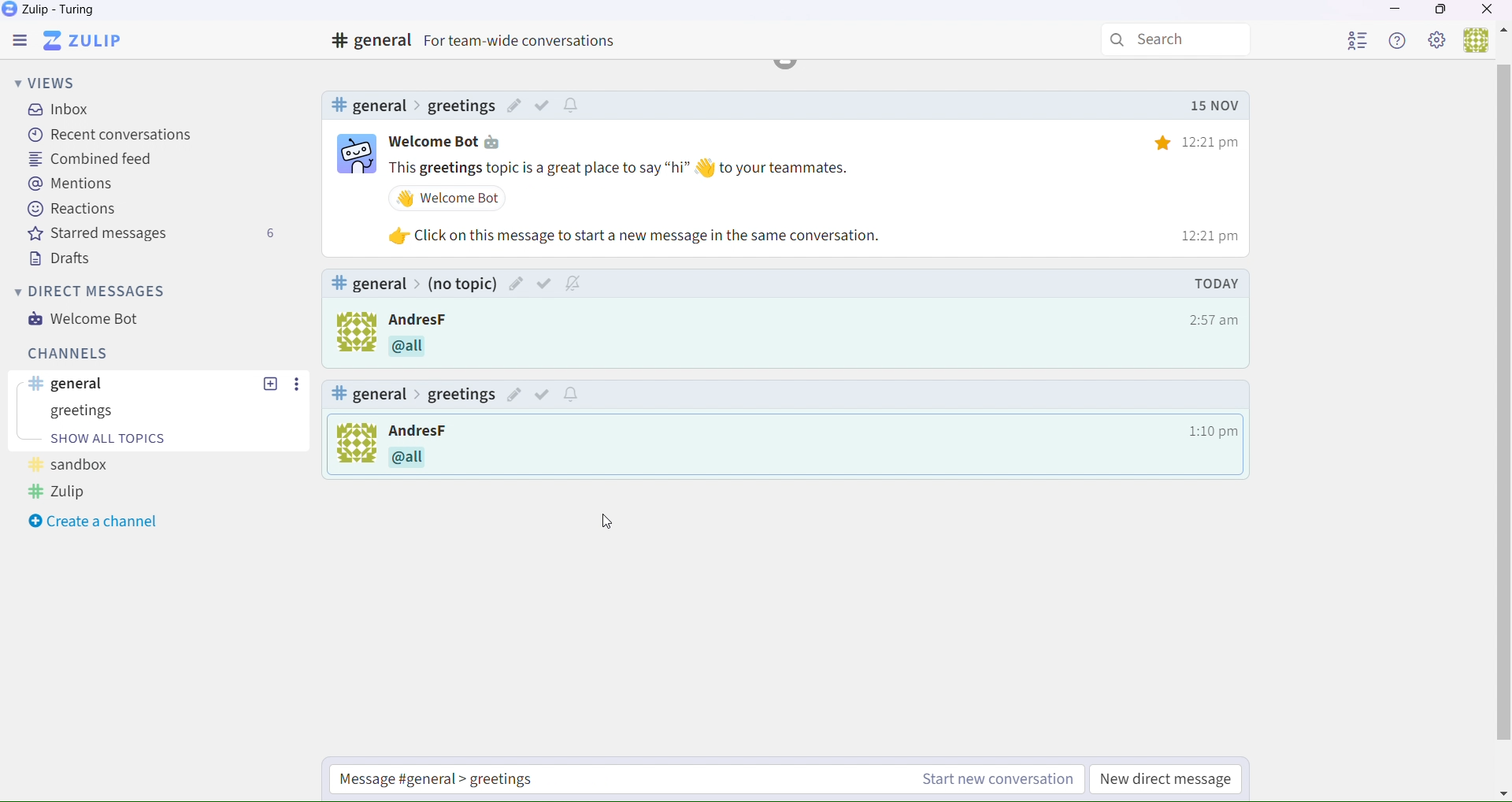  What do you see at coordinates (60, 495) in the screenshot?
I see `Zulip` at bounding box center [60, 495].